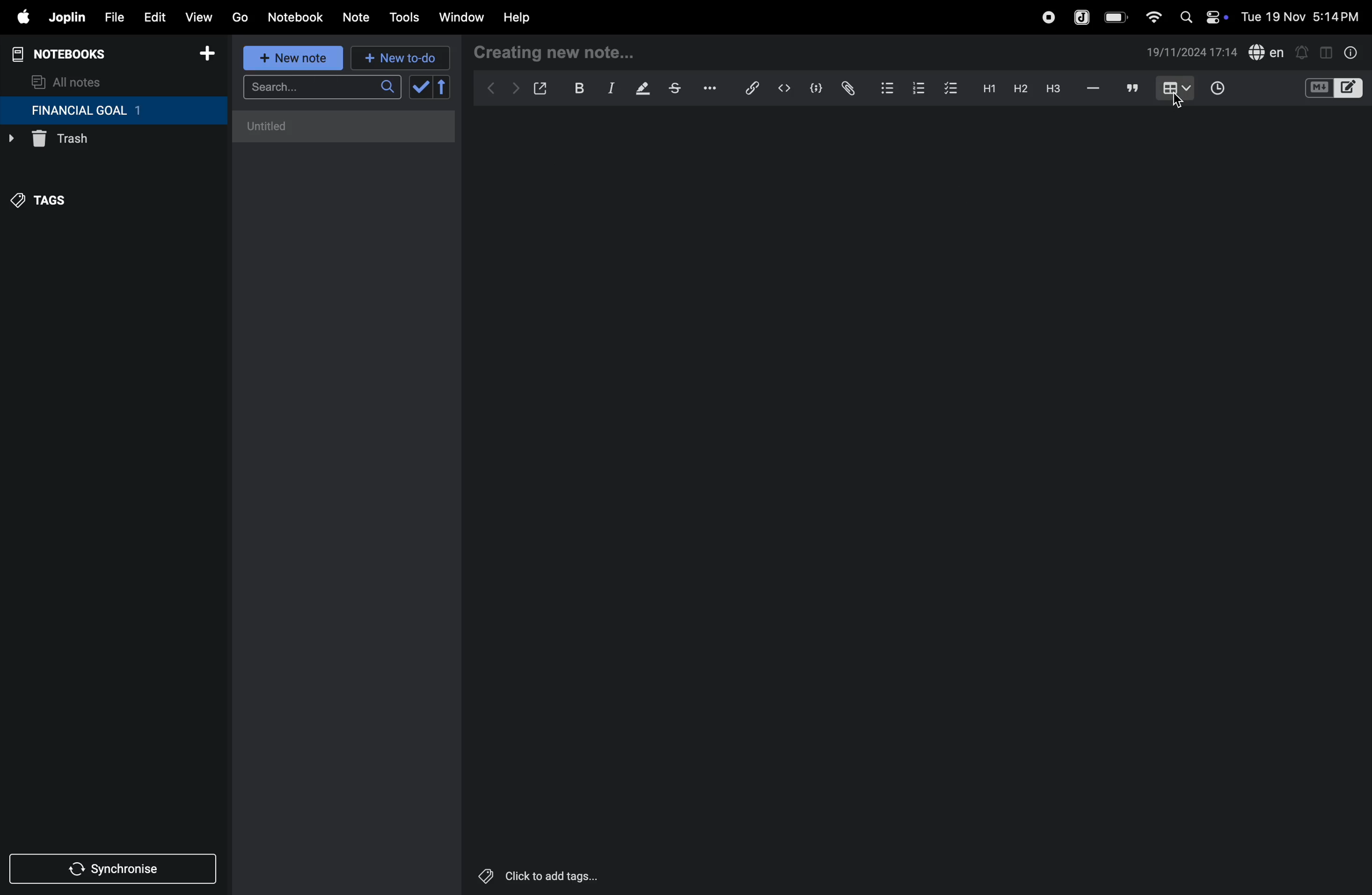  I want to click on joplin, so click(1083, 16).